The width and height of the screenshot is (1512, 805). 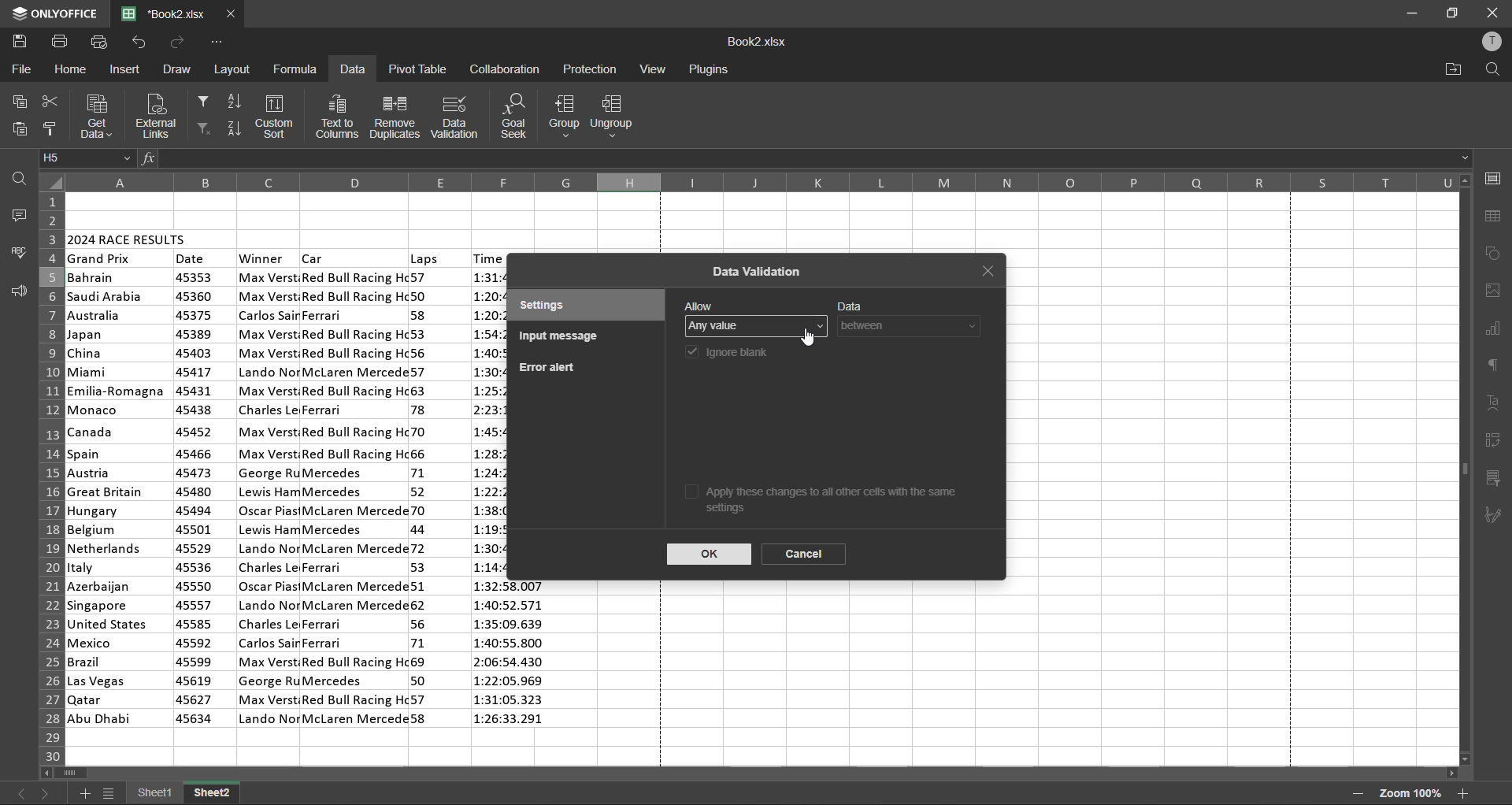 What do you see at coordinates (757, 43) in the screenshot?
I see `filename` at bounding box center [757, 43].